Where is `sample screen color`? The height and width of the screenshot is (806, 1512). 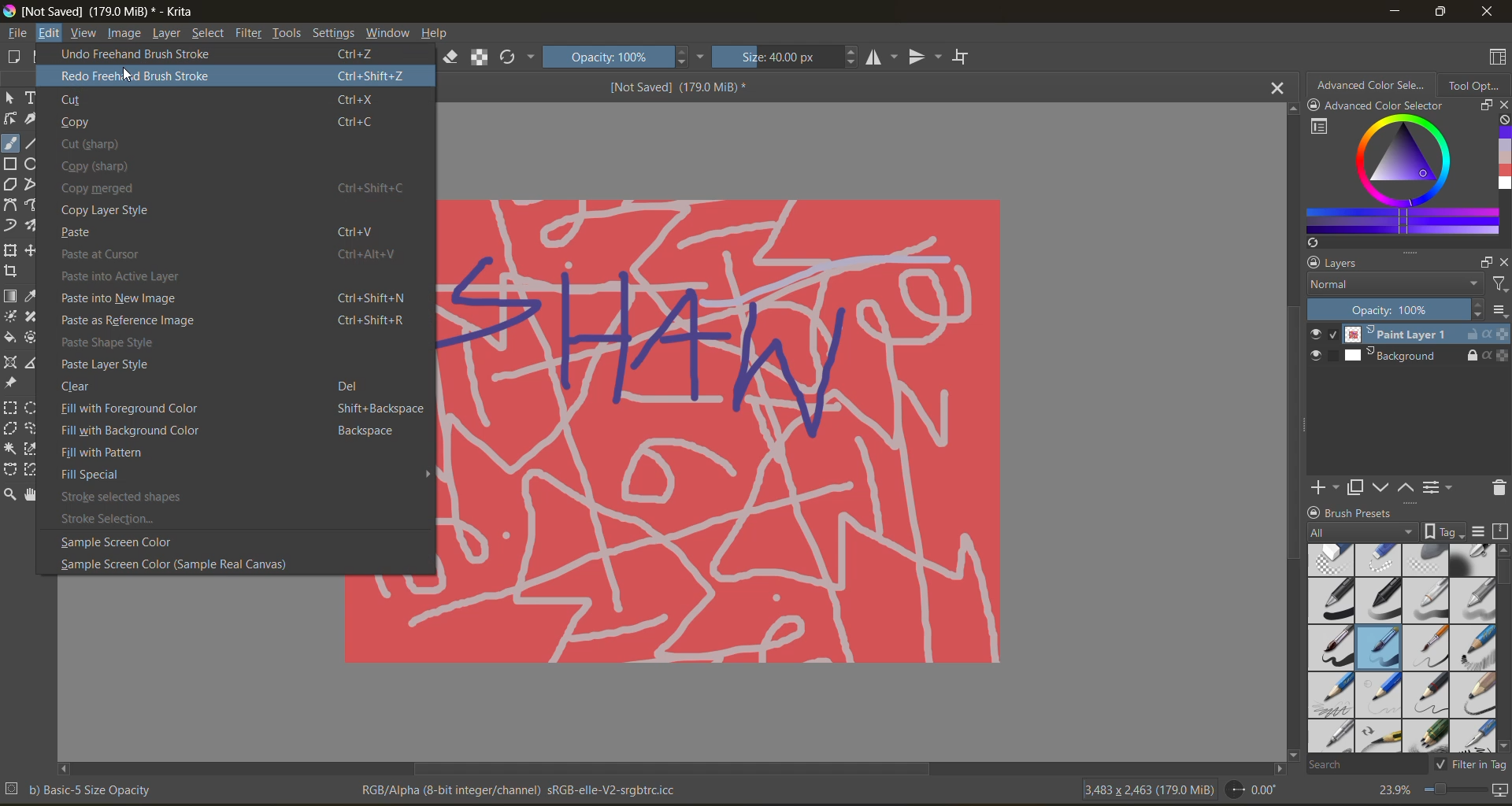 sample screen color is located at coordinates (117, 542).